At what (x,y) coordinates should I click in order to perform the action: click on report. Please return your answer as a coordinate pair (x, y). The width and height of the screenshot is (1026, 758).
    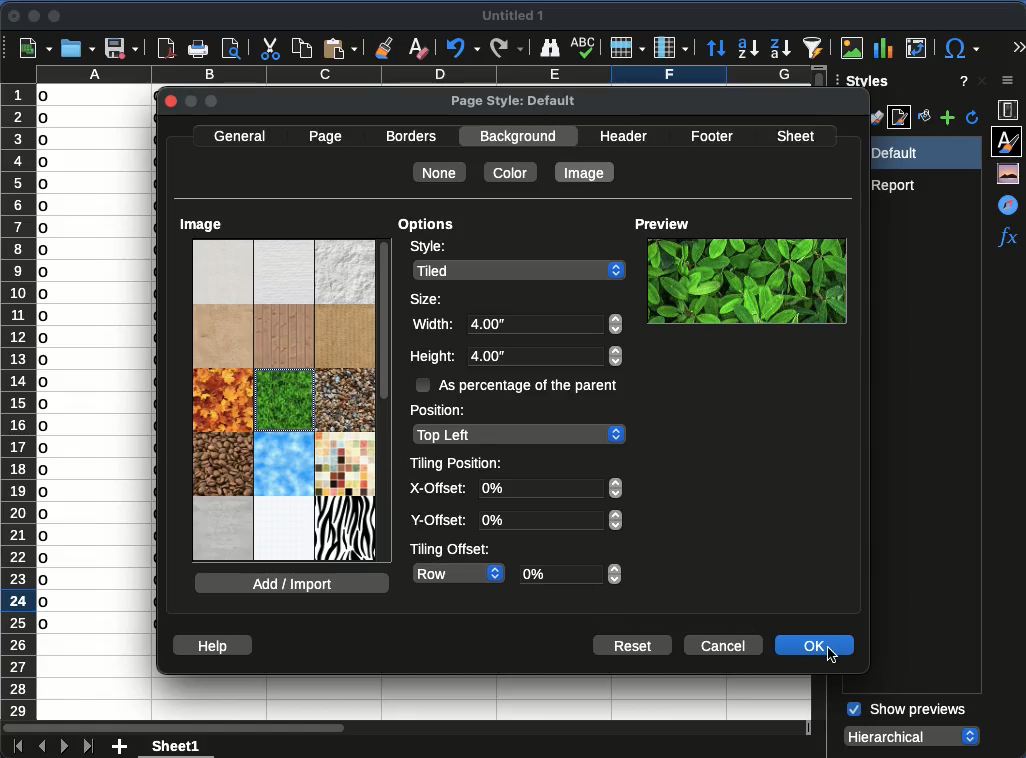
    Looking at the image, I should click on (898, 185).